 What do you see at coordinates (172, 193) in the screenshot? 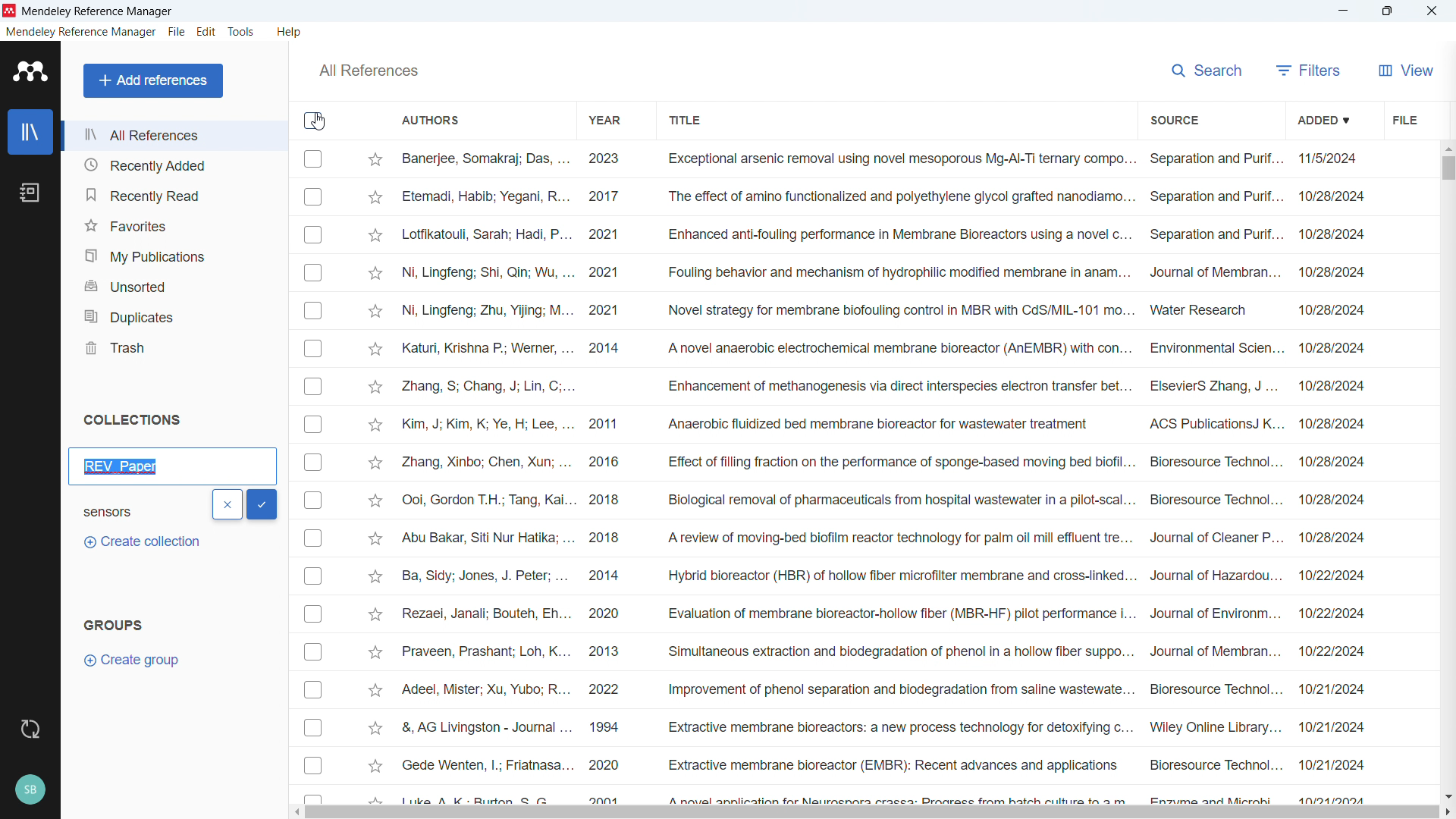
I see `Recently read ` at bounding box center [172, 193].